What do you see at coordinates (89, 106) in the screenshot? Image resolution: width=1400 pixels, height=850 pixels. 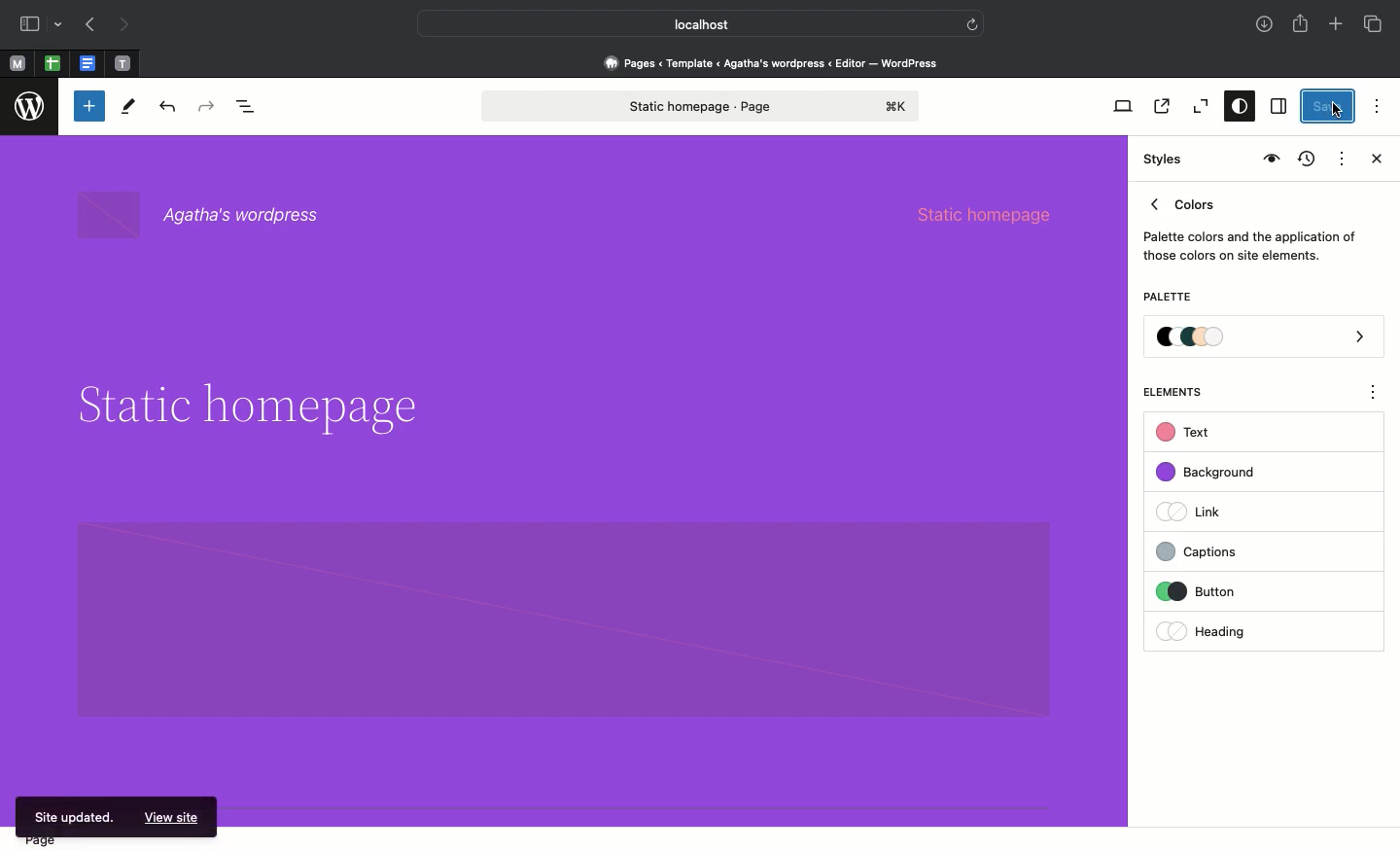 I see `Toggle blocker` at bounding box center [89, 106].